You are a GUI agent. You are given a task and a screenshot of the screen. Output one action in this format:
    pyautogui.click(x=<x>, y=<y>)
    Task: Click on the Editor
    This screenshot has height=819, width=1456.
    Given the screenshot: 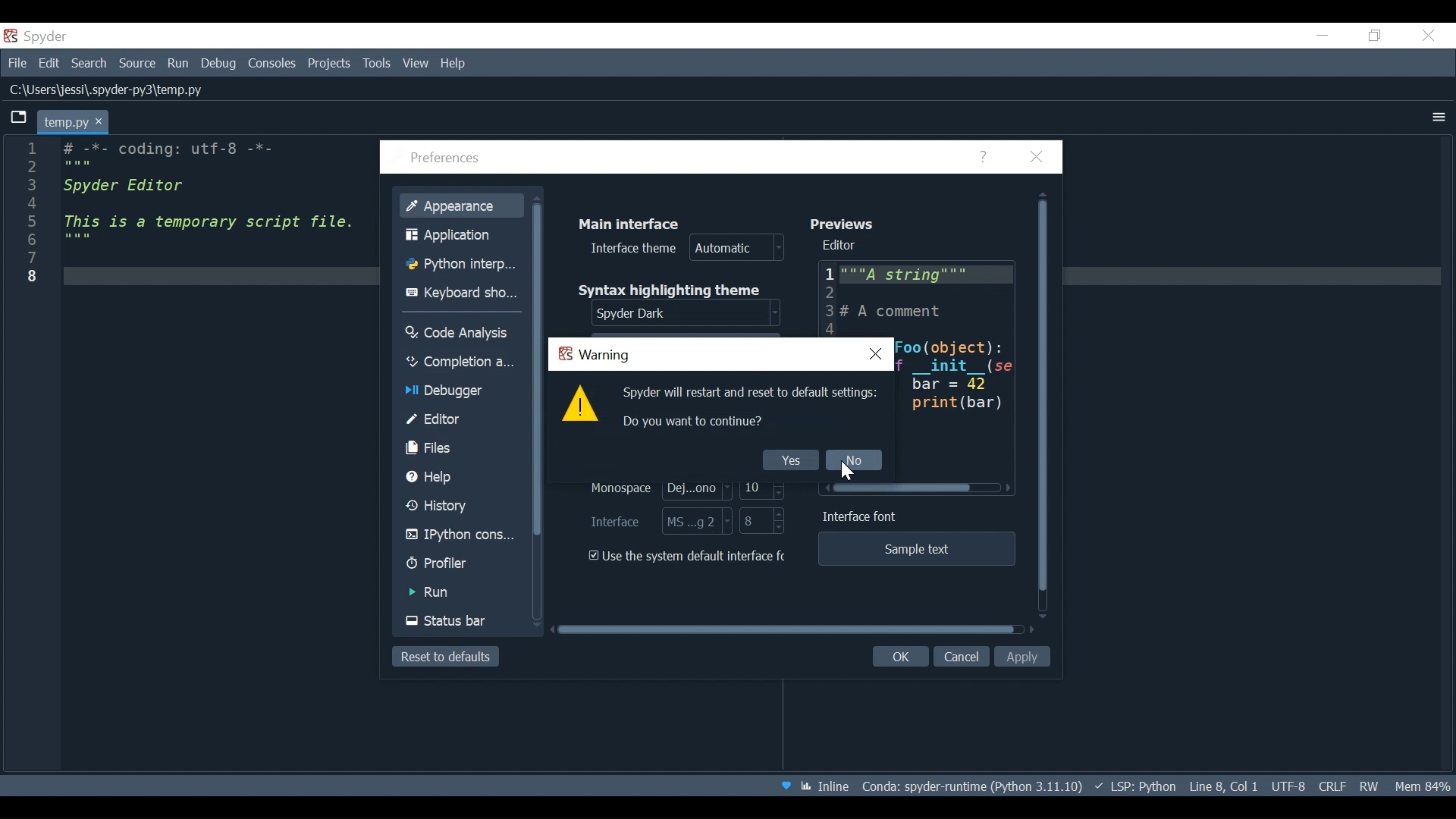 What is the action you would take?
    pyautogui.click(x=916, y=298)
    